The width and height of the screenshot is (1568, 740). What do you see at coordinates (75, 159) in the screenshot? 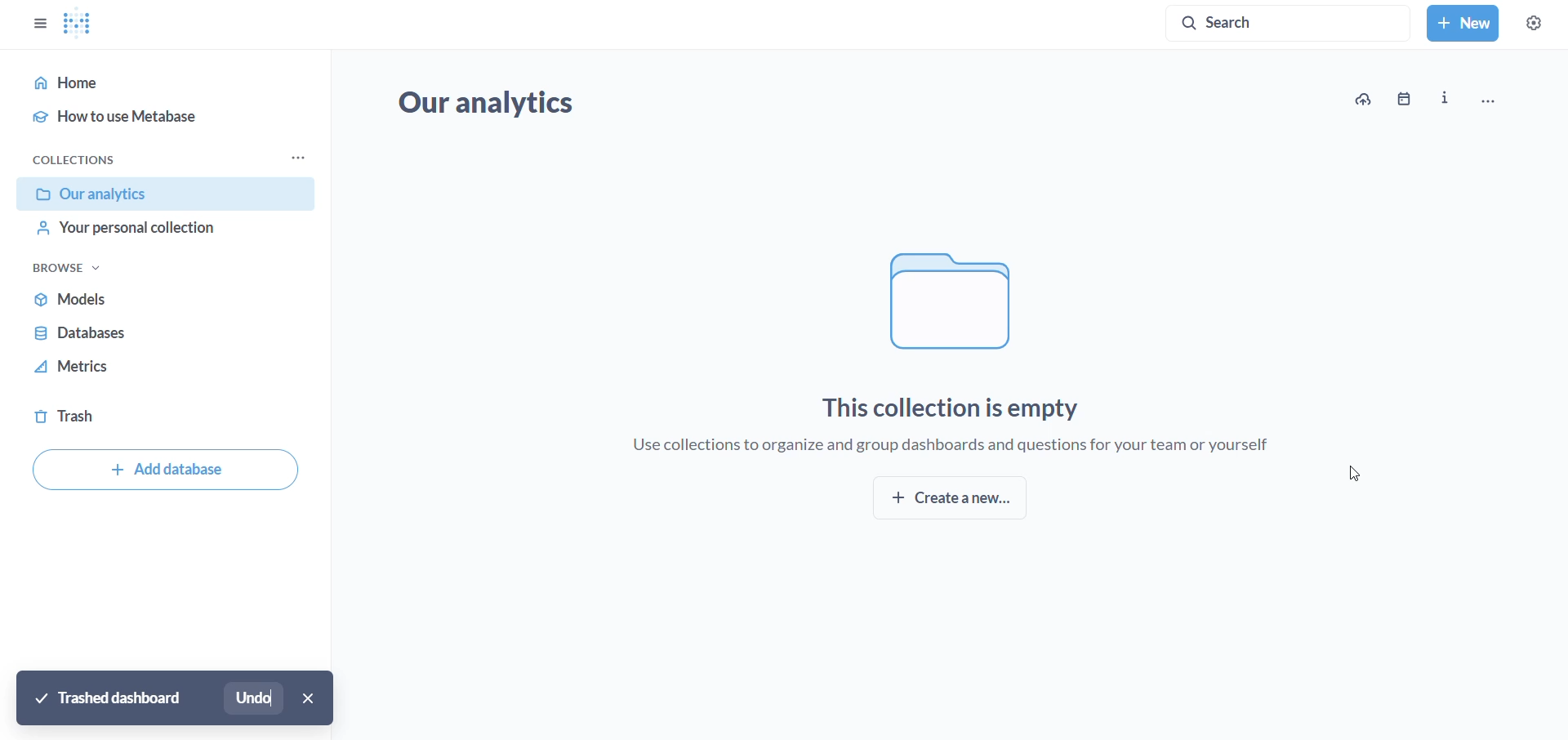
I see `collections` at bounding box center [75, 159].